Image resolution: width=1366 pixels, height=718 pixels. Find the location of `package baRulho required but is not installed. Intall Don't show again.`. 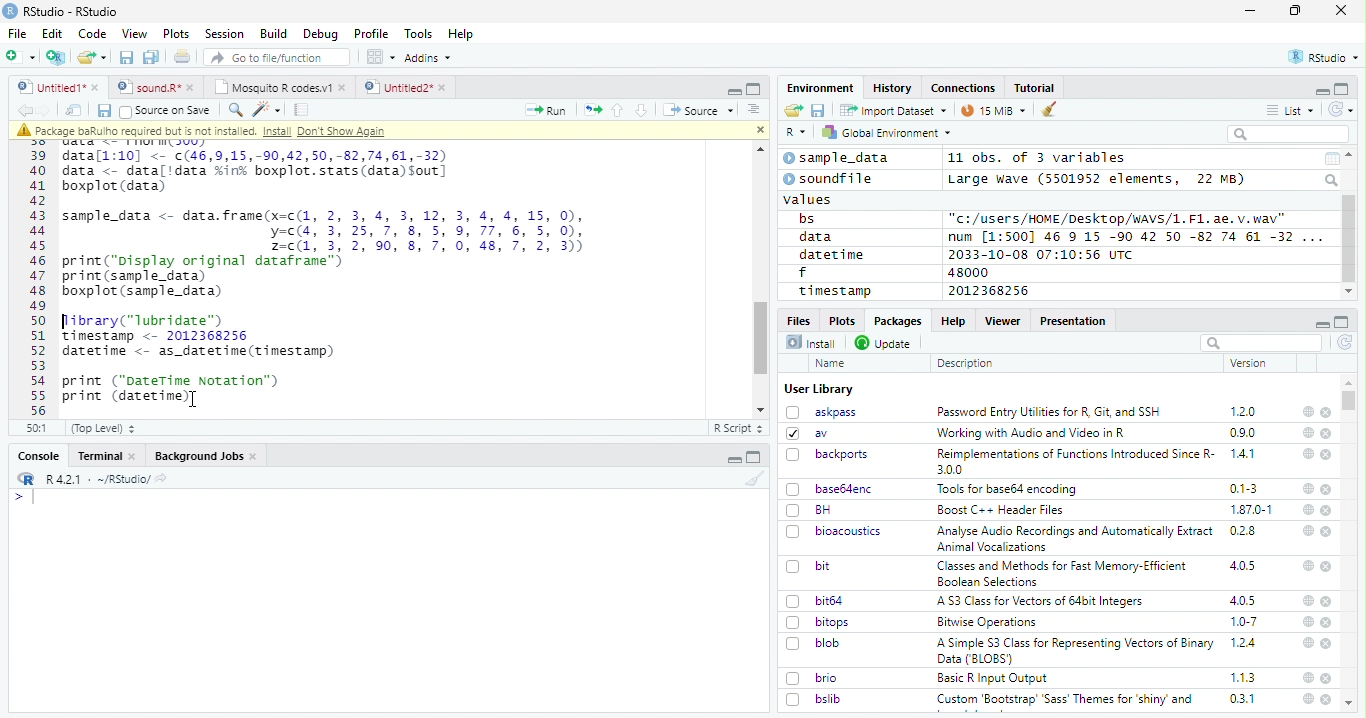

package baRulho required but is not installed. Intall Don't show again. is located at coordinates (207, 131).